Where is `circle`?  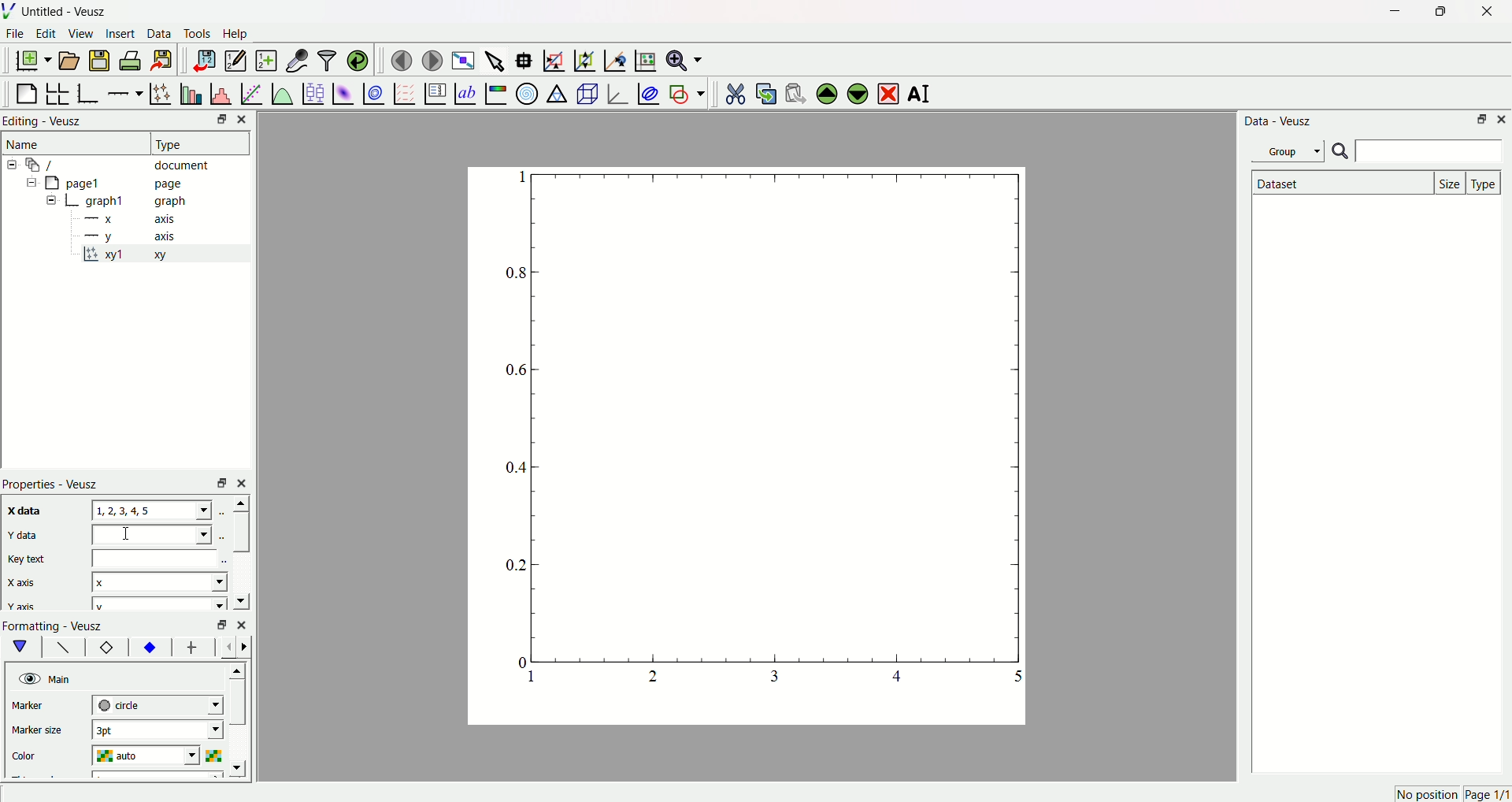 circle is located at coordinates (156, 704).